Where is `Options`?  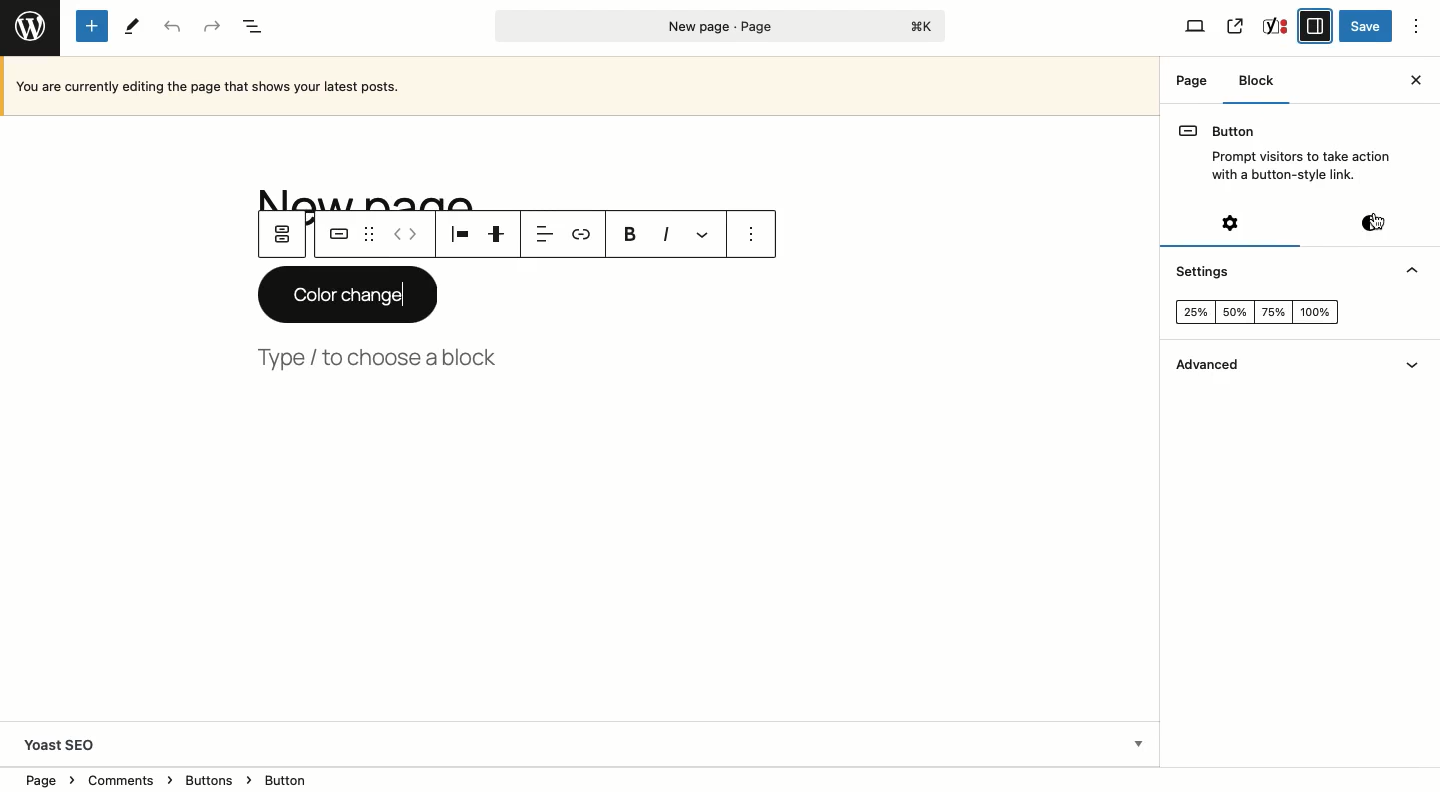 Options is located at coordinates (751, 236).